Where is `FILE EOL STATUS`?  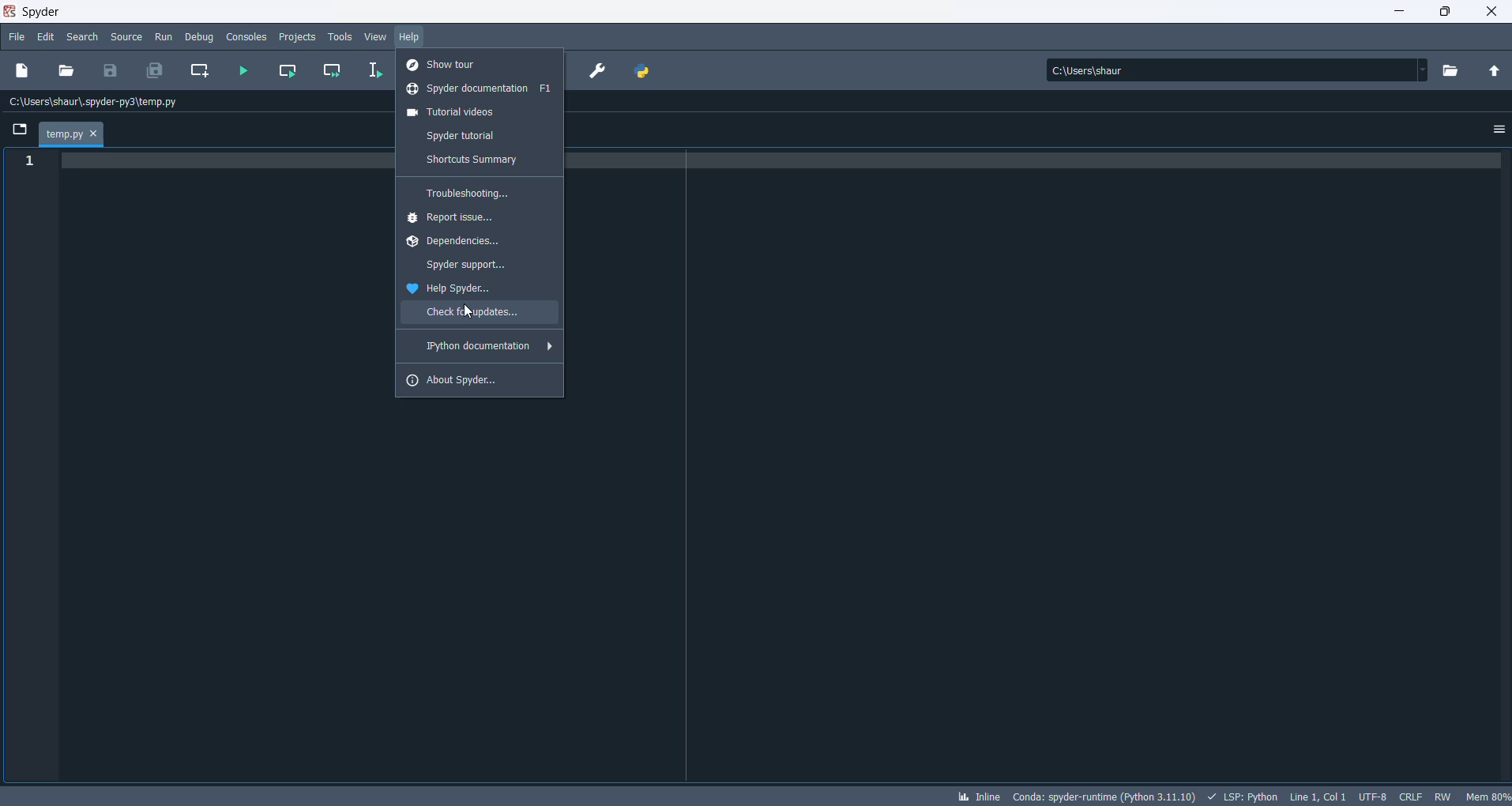
FILE EOL STATUS is located at coordinates (1409, 797).